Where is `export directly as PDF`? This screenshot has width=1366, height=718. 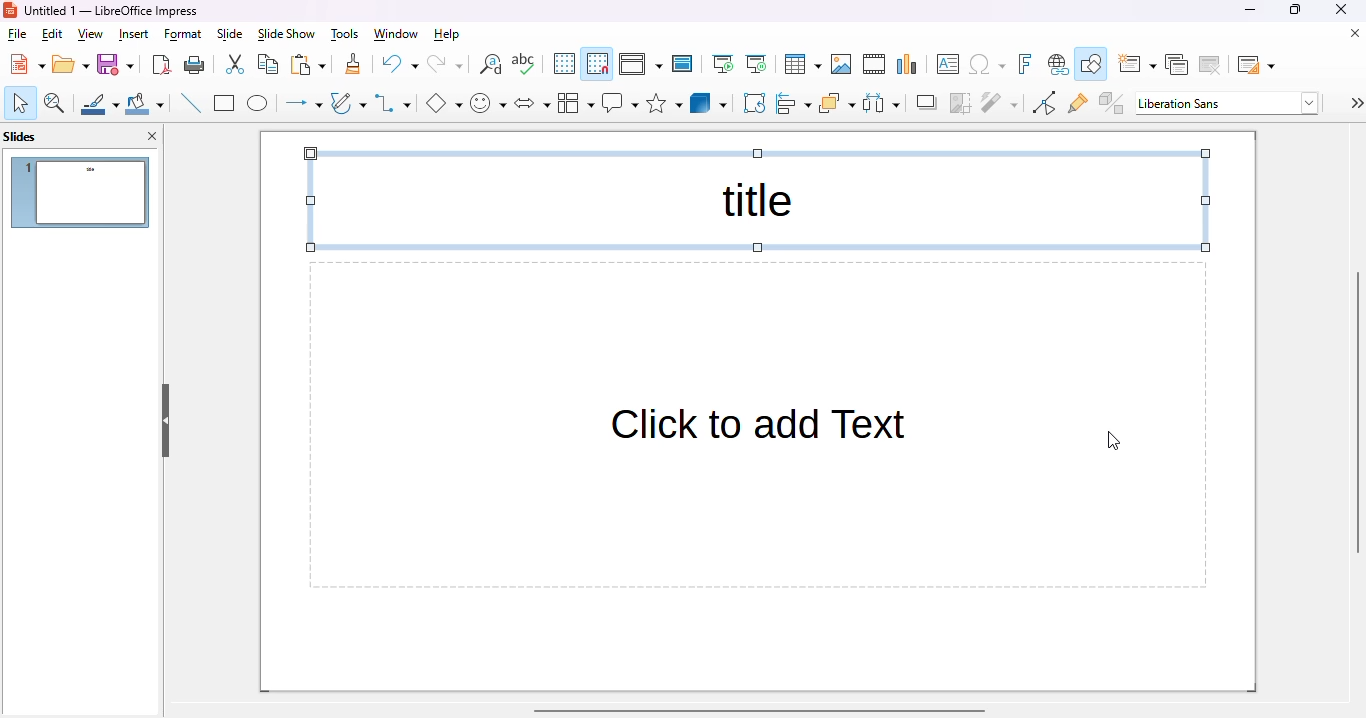
export directly as PDF is located at coordinates (163, 65).